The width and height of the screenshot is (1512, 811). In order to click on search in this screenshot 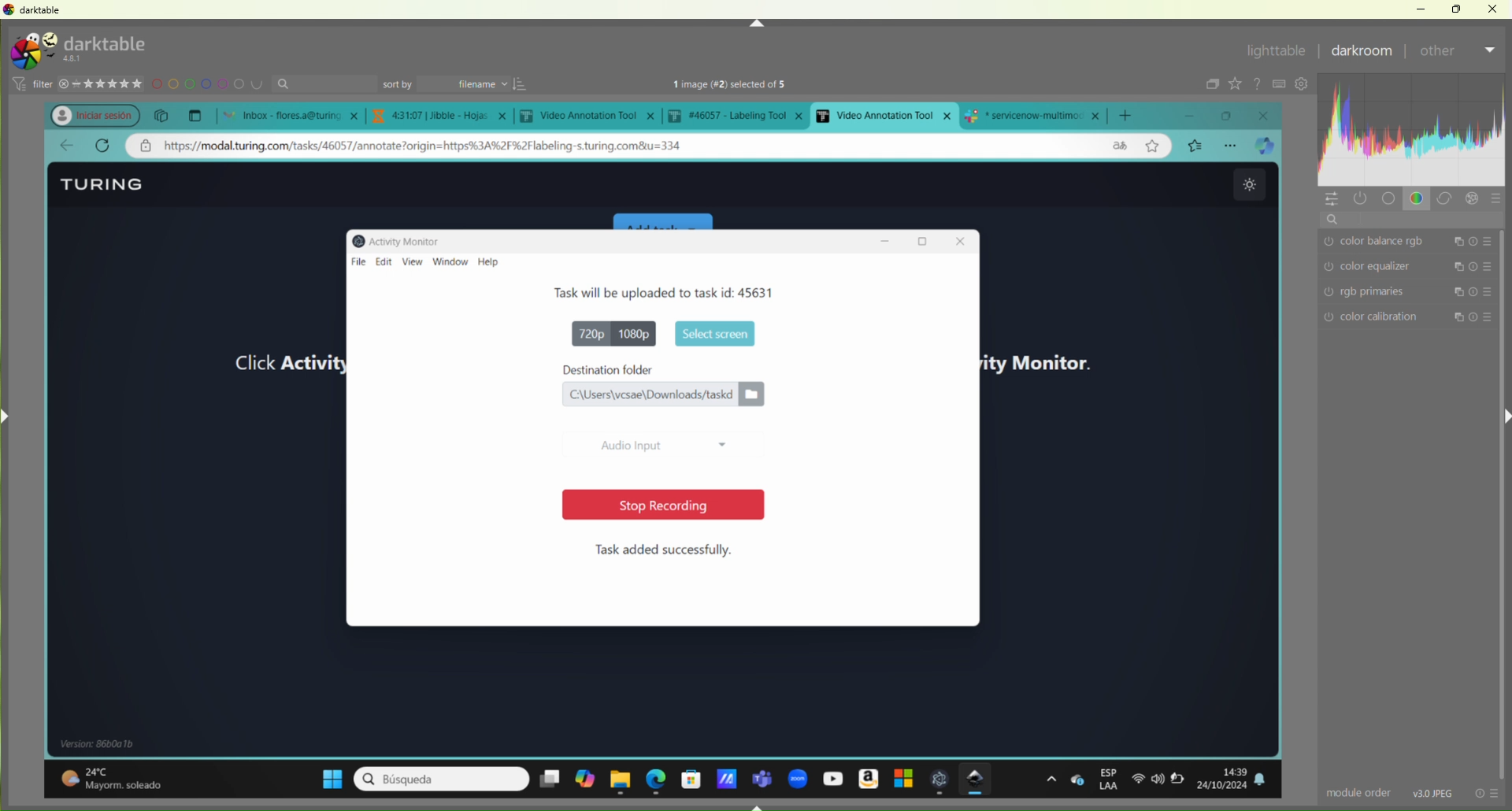, I will do `click(328, 84)`.